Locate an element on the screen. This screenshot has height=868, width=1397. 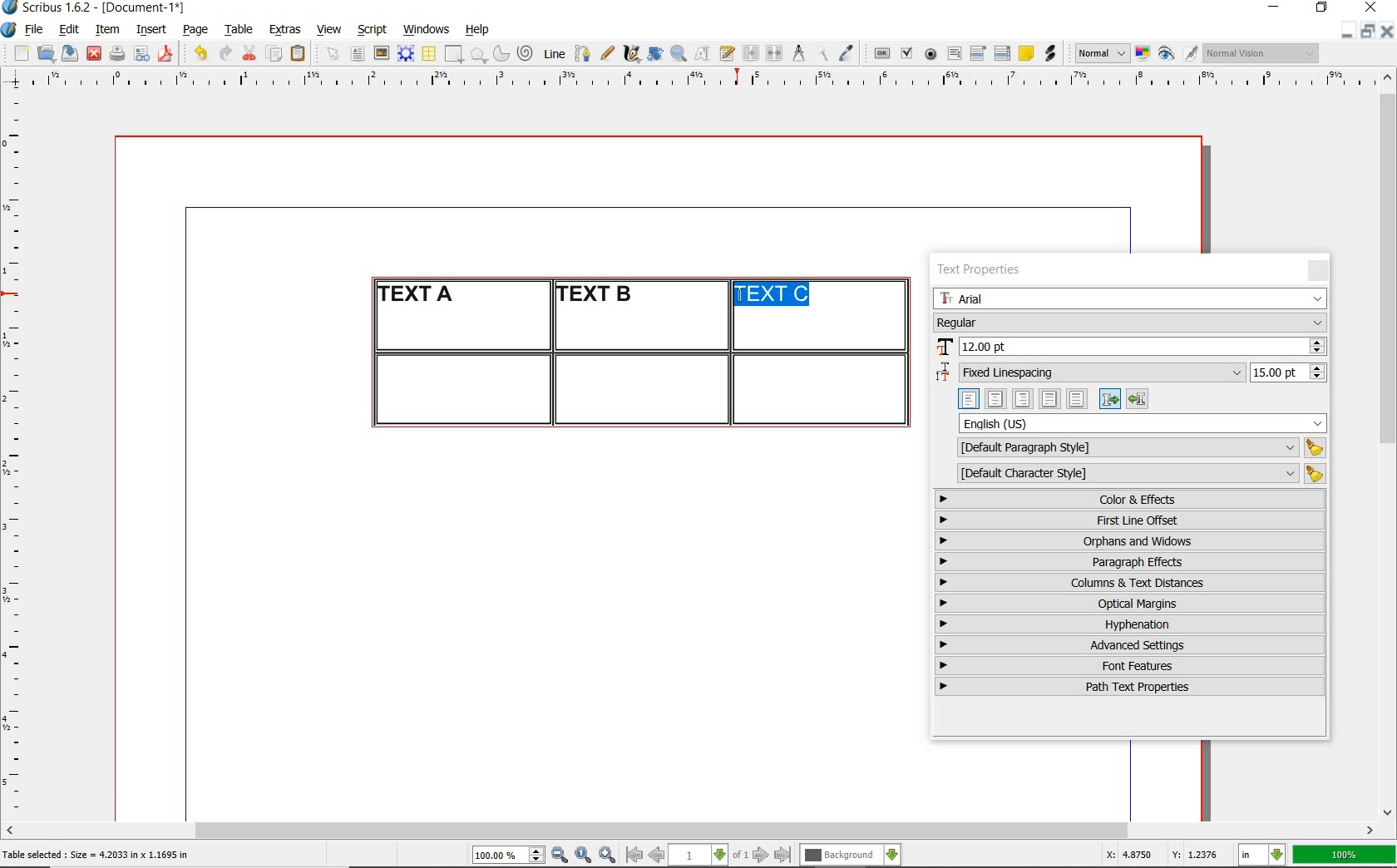
font features is located at coordinates (1130, 665).